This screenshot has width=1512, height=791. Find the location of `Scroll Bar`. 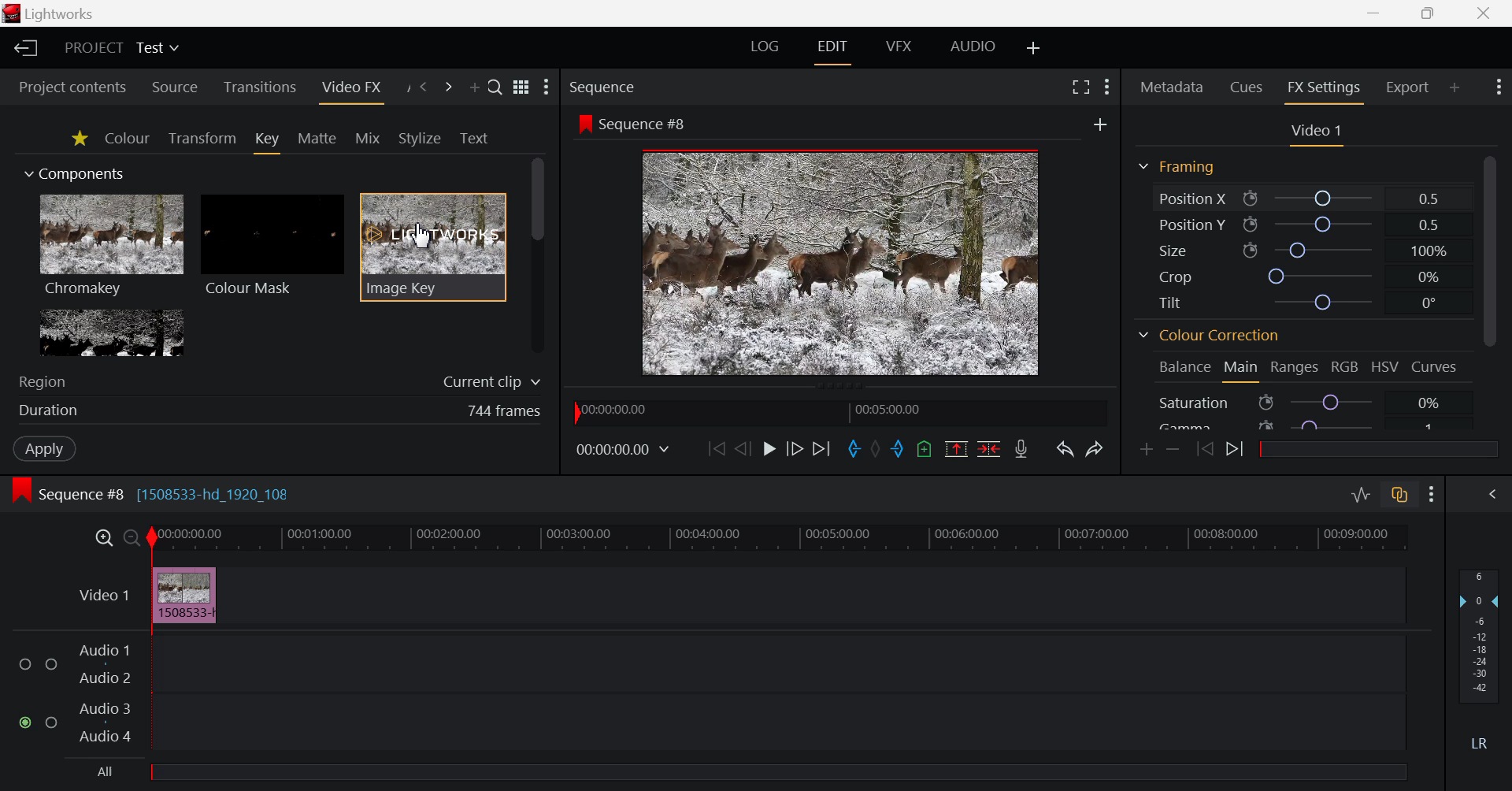

Scroll Bar is located at coordinates (1488, 287).